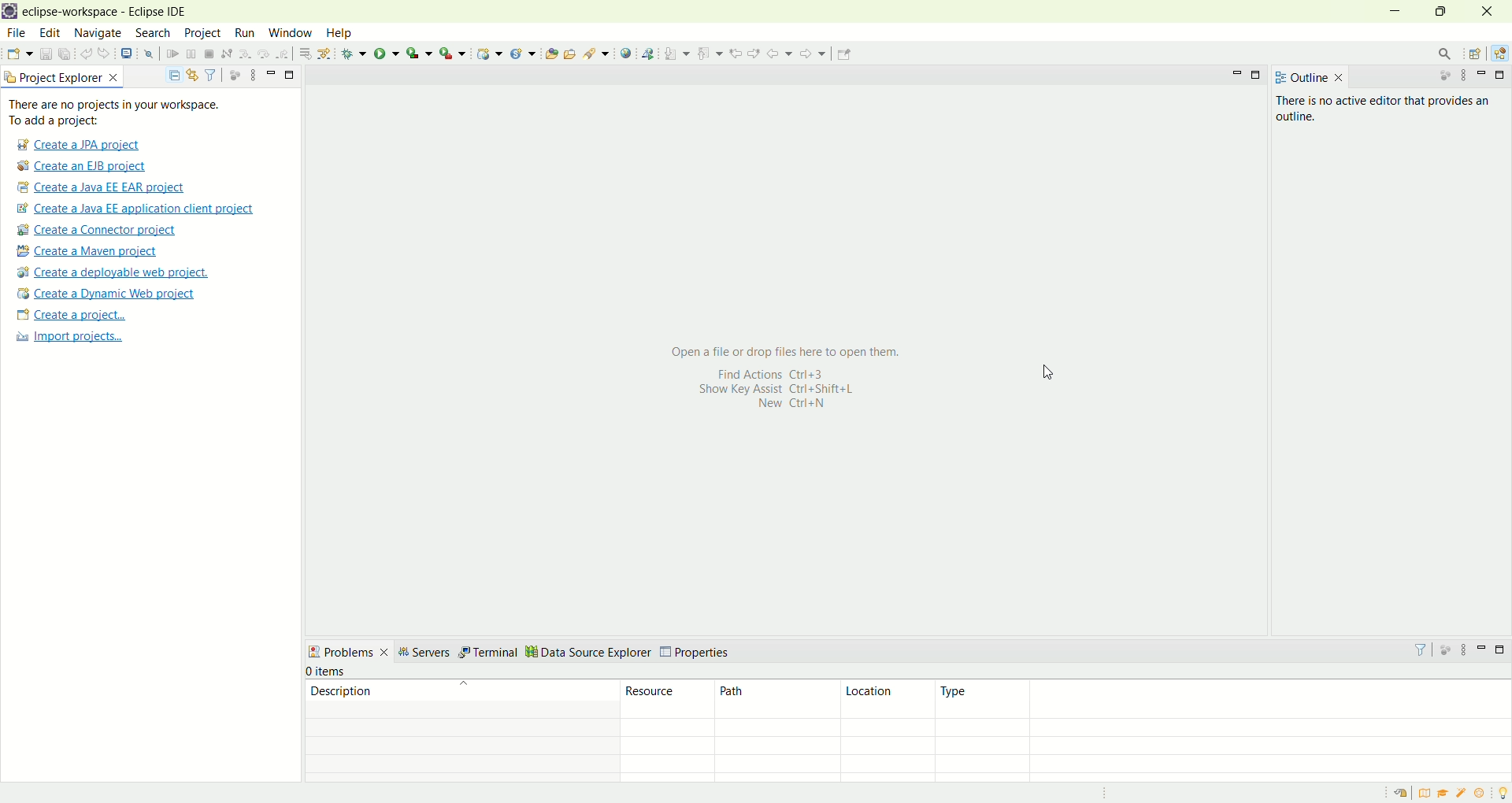  What do you see at coordinates (1443, 794) in the screenshot?
I see `tutorial` at bounding box center [1443, 794].